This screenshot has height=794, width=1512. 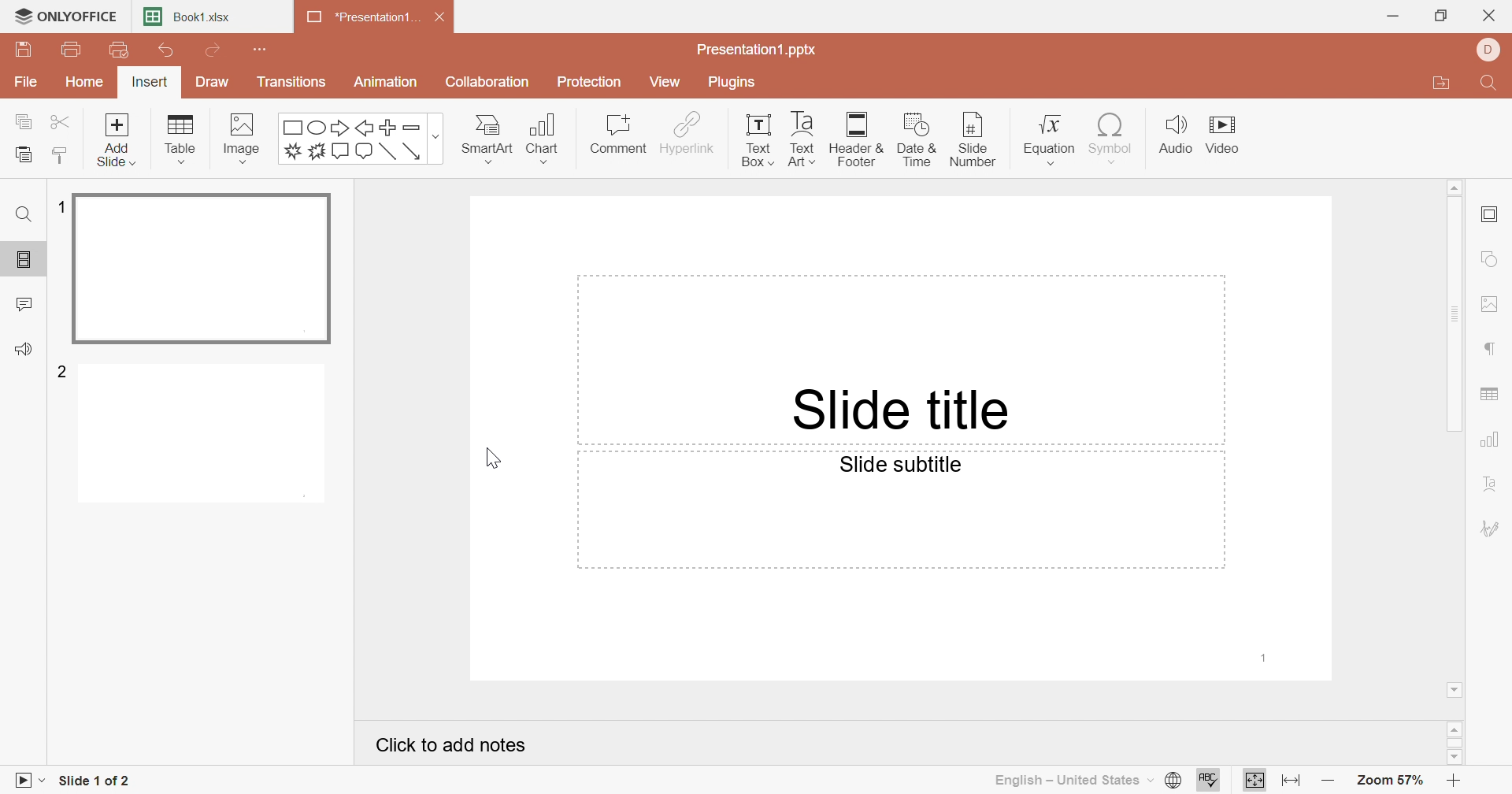 I want to click on copy, so click(x=27, y=121).